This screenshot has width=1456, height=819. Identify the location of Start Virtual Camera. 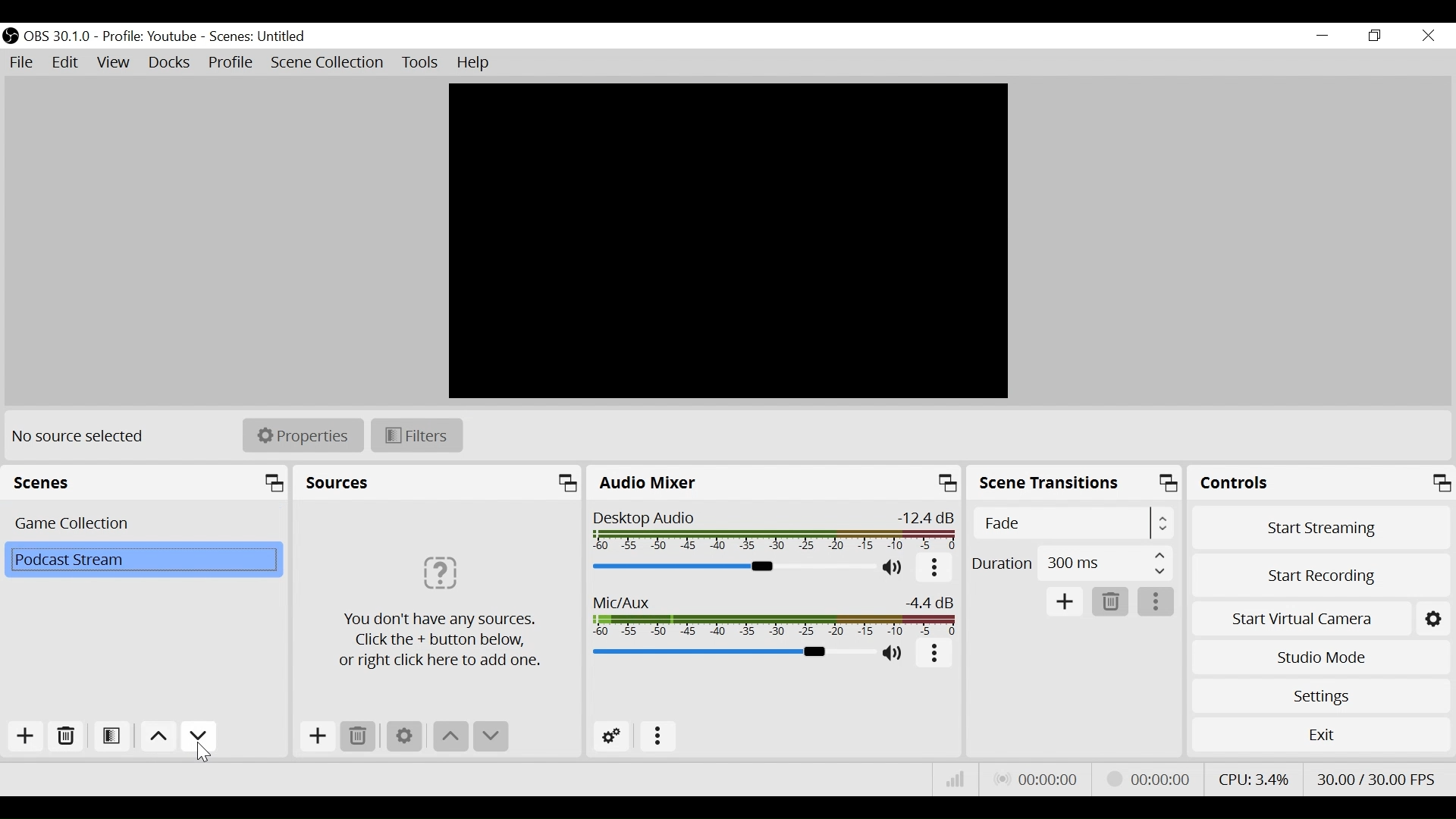
(1301, 616).